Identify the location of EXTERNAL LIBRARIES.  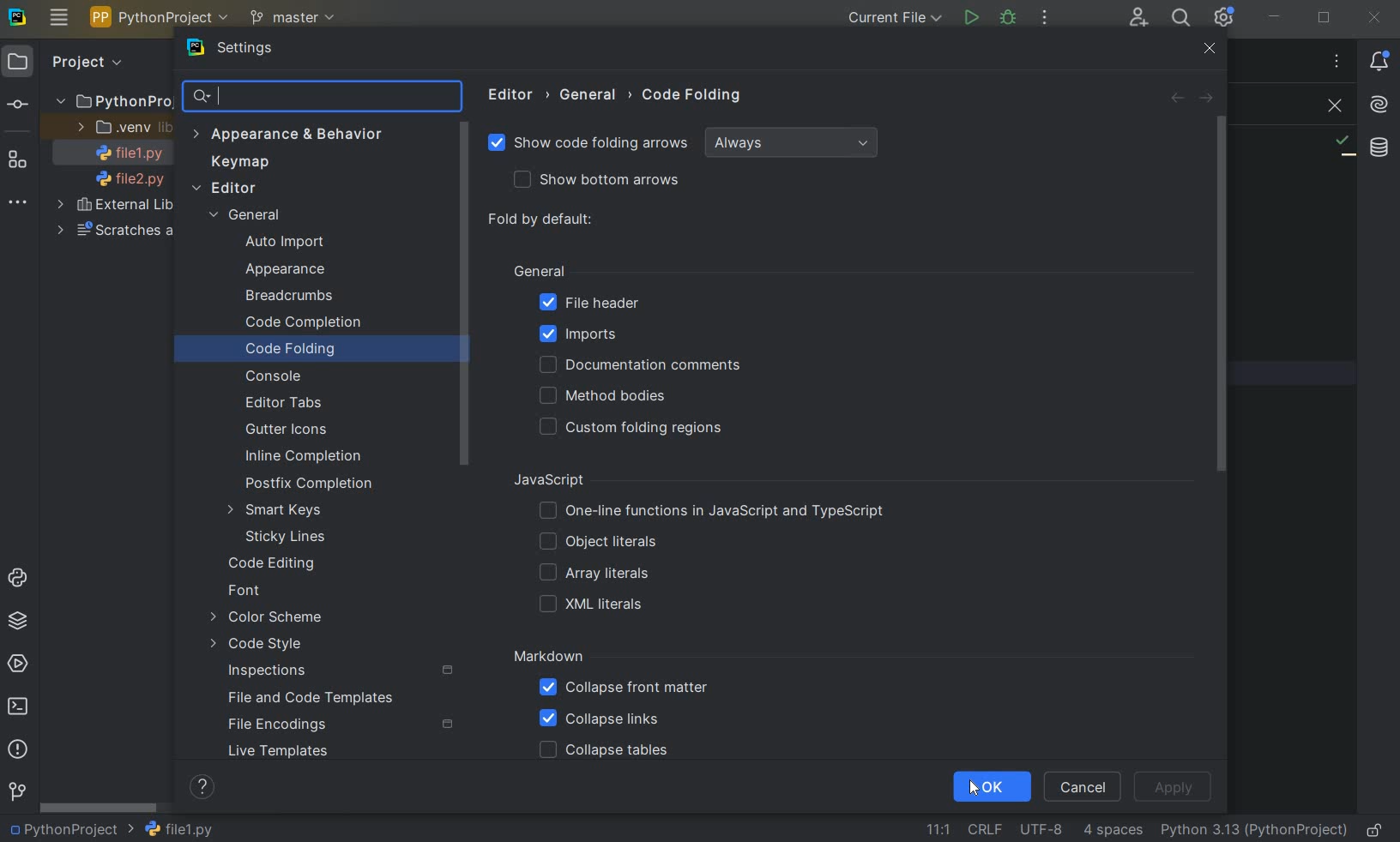
(117, 207).